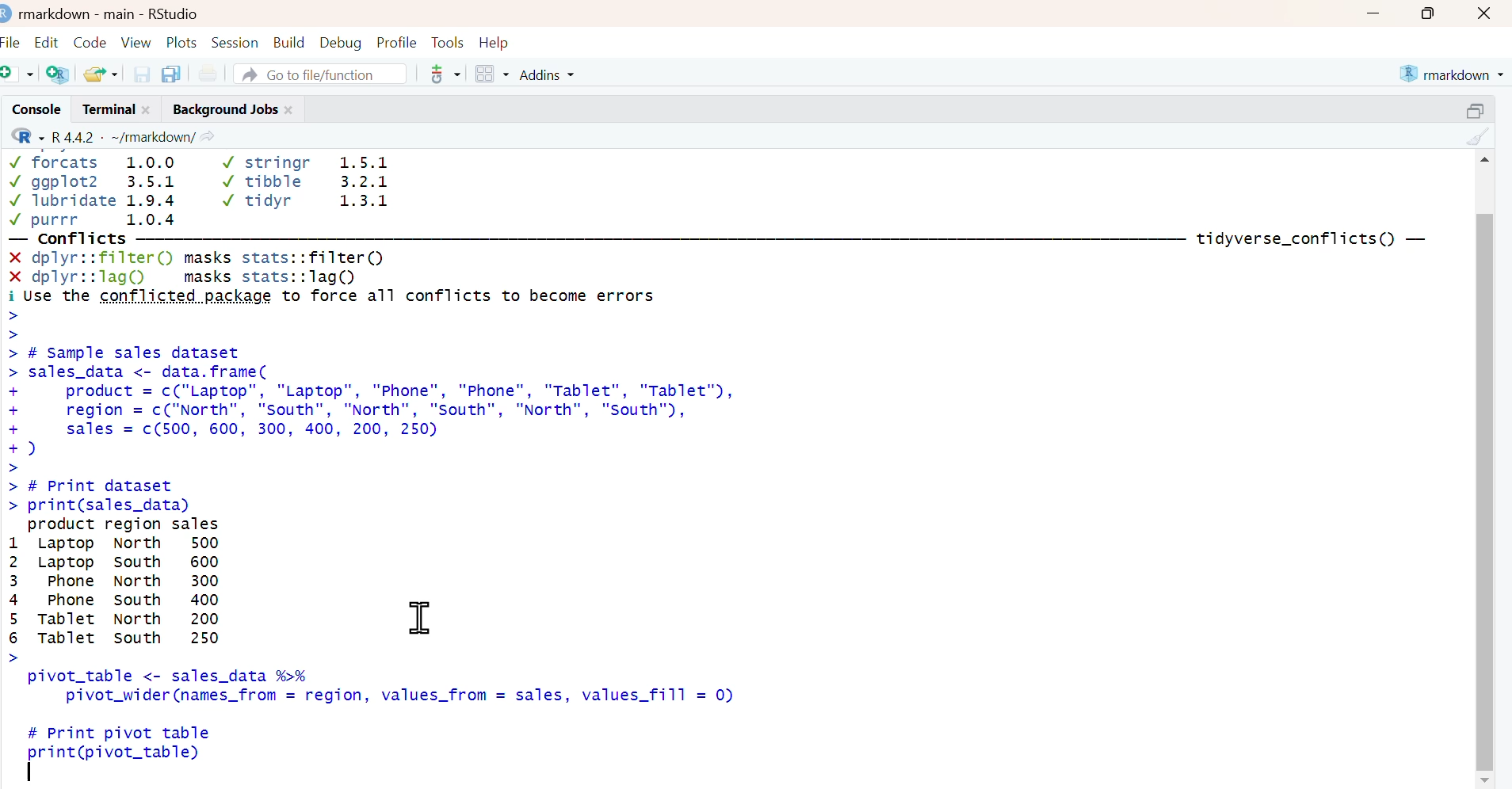  Describe the element at coordinates (48, 39) in the screenshot. I see `Edit` at that location.